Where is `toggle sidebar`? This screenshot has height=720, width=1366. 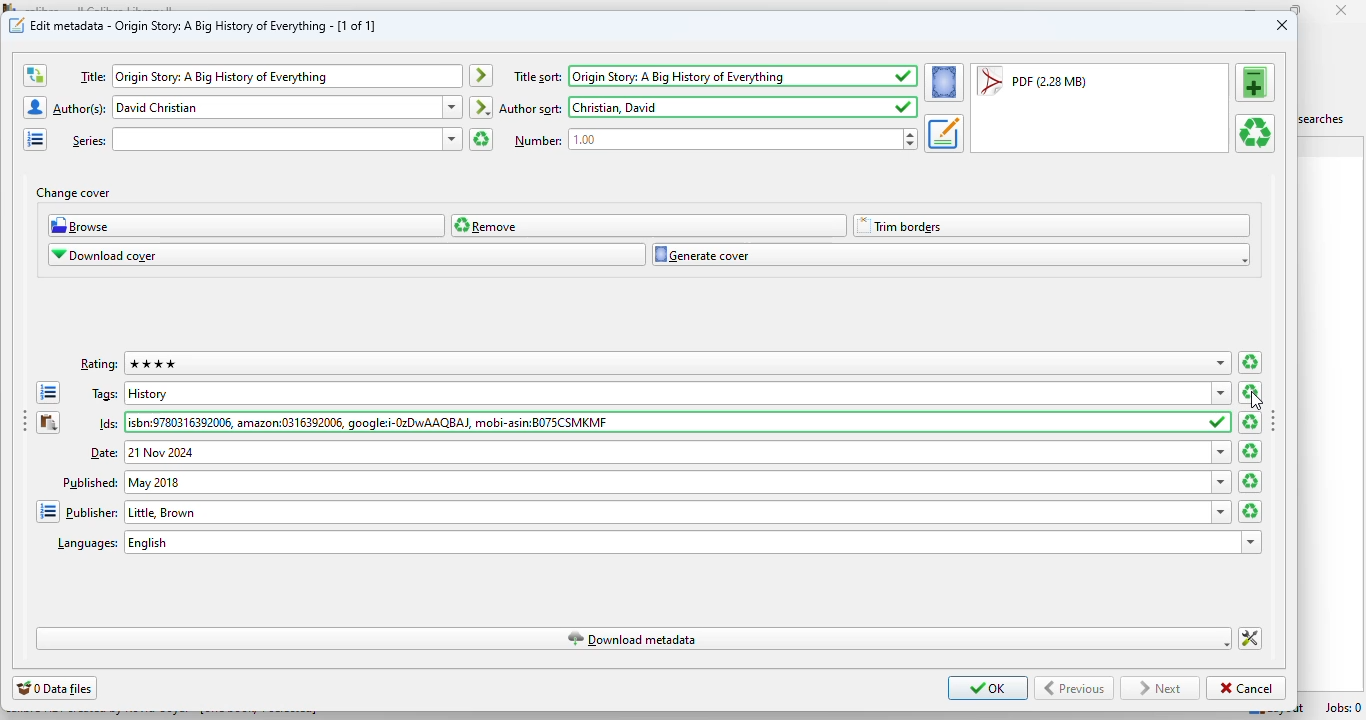 toggle sidebar is located at coordinates (23, 420).